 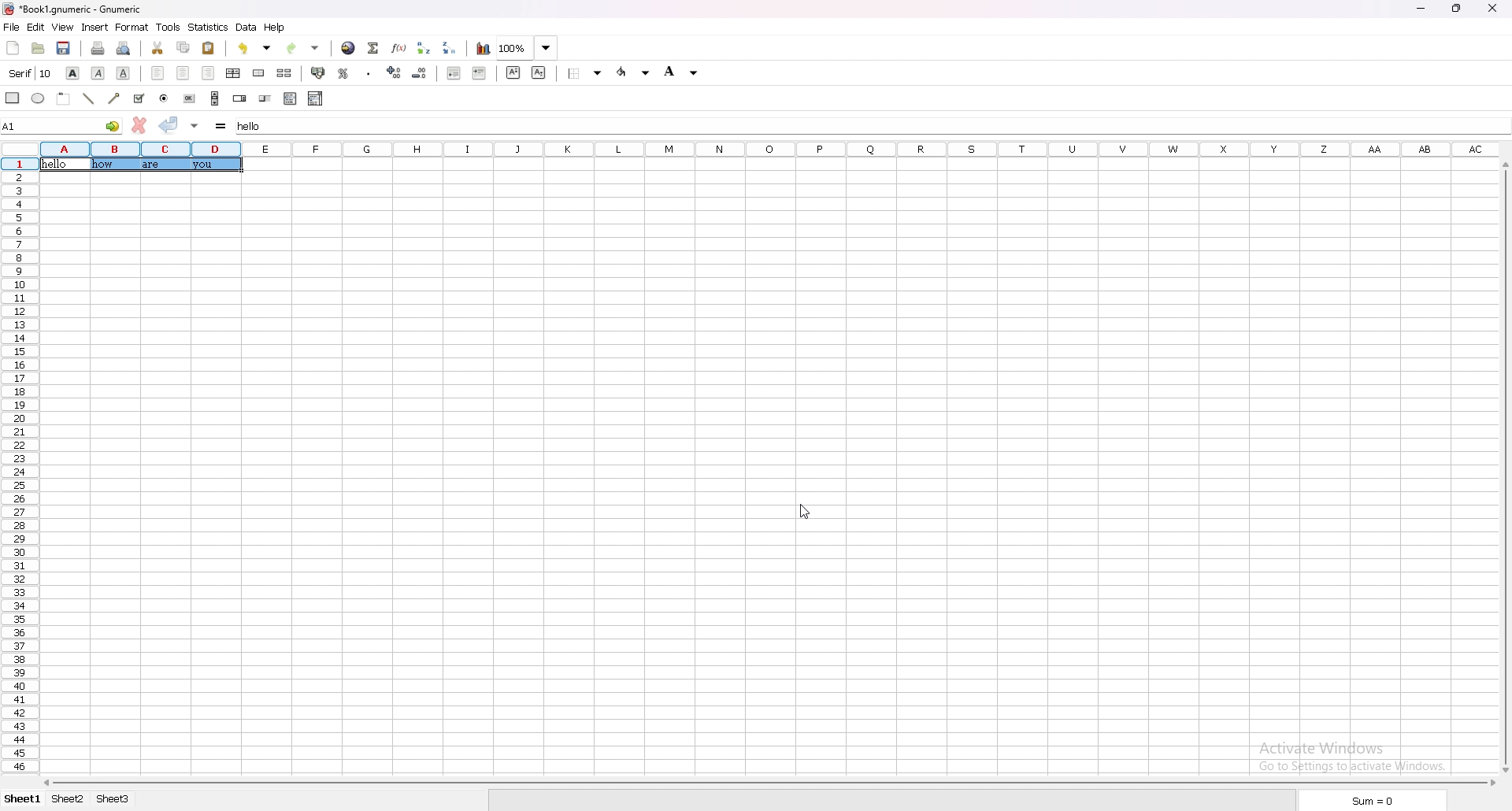 I want to click on sheet 2, so click(x=69, y=799).